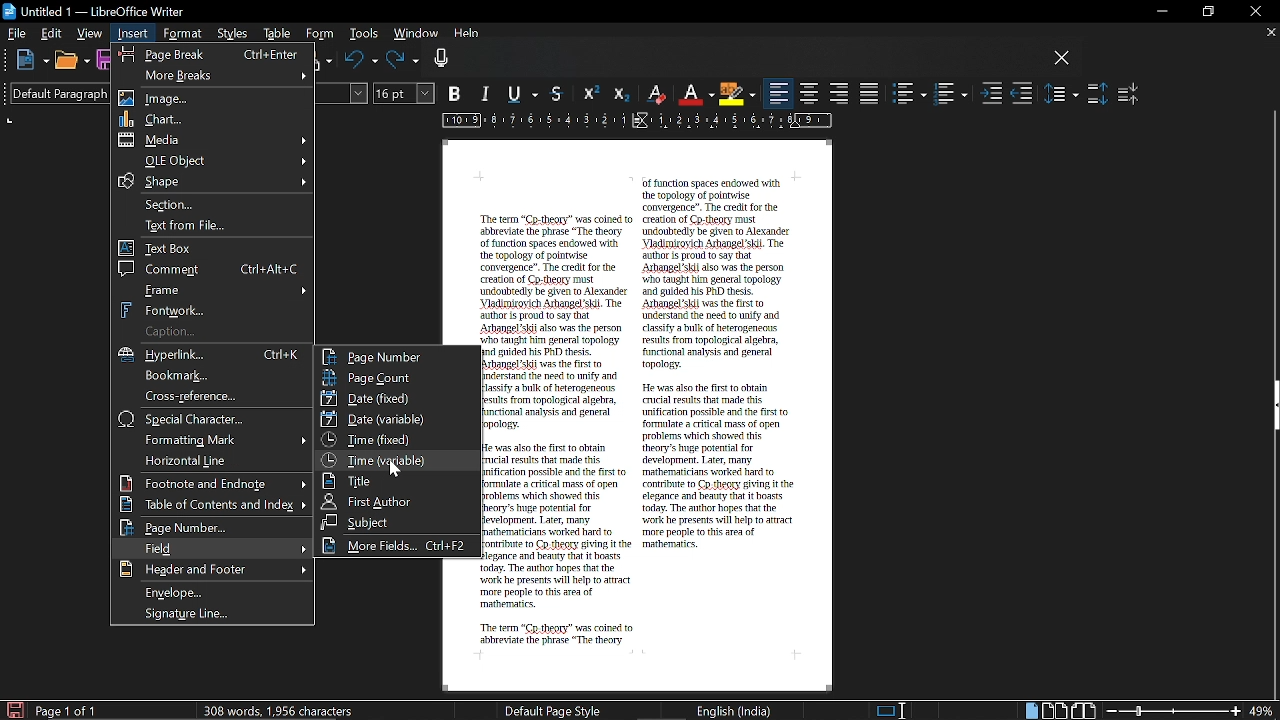 Image resolution: width=1280 pixels, height=720 pixels. What do you see at coordinates (214, 376) in the screenshot?
I see `bookmark` at bounding box center [214, 376].